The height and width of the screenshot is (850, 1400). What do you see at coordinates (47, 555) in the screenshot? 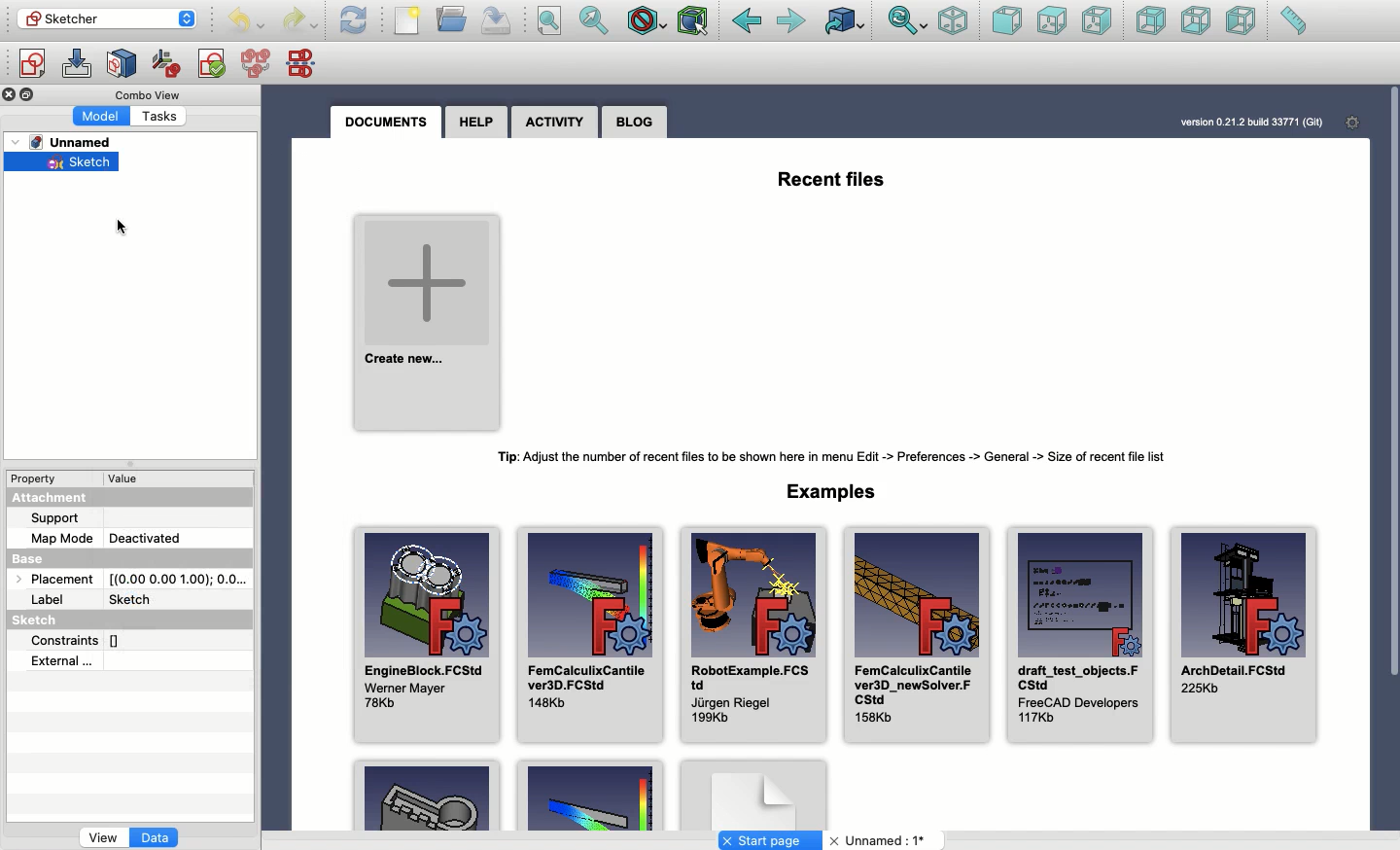
I see `Base` at bounding box center [47, 555].